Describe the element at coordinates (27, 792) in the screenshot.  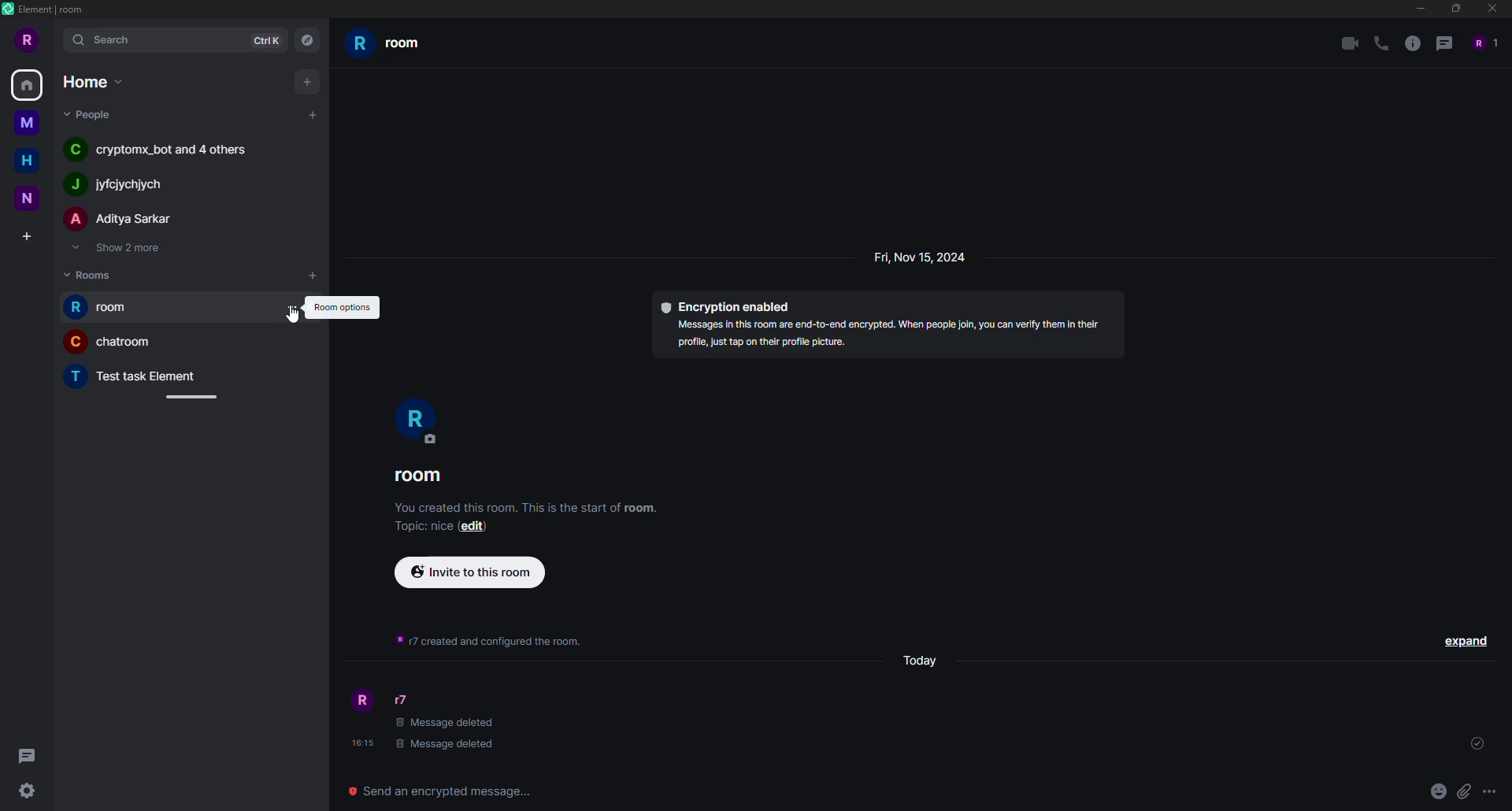
I see `quick settings` at that location.